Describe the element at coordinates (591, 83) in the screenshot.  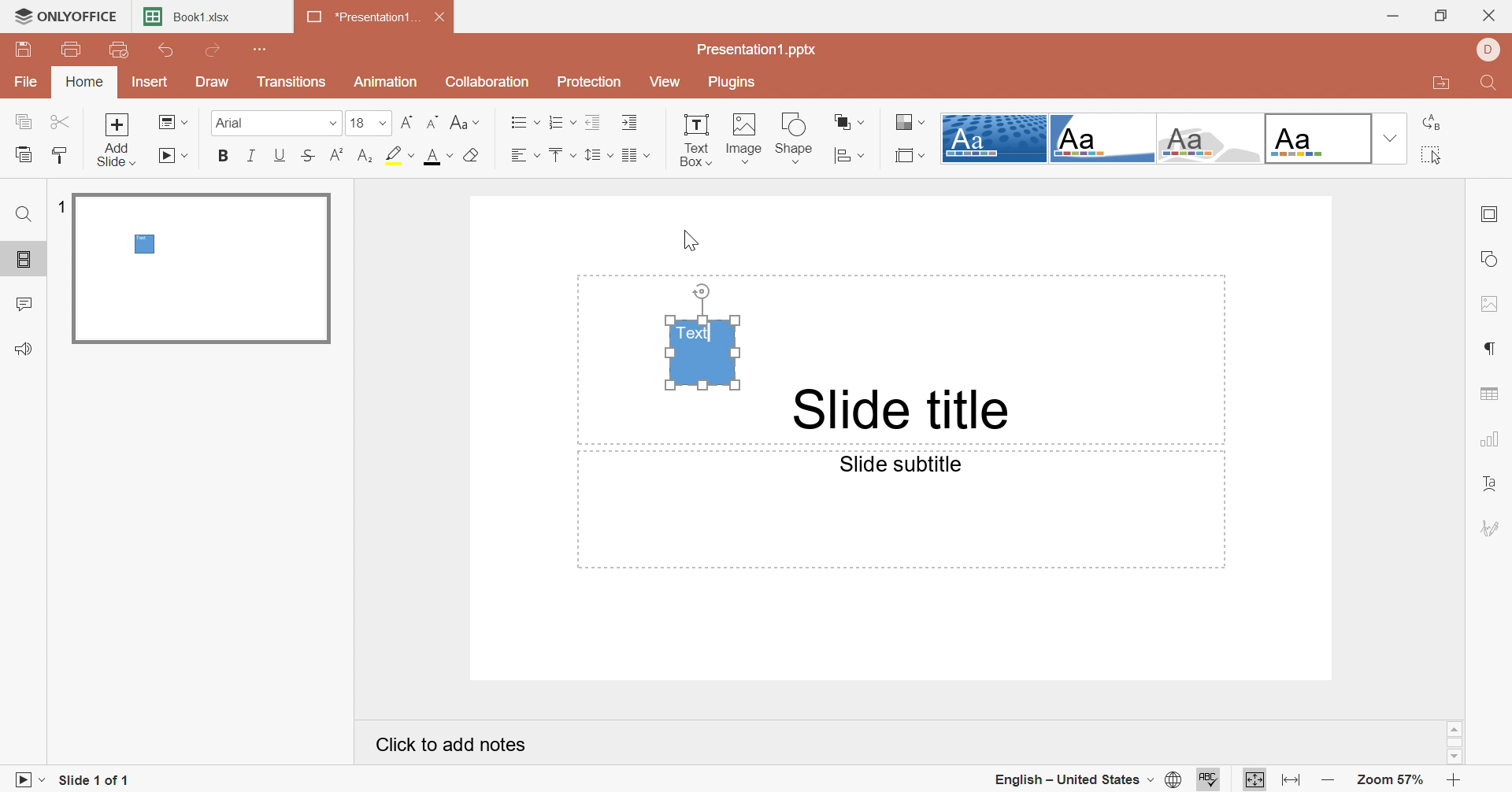
I see `Protection` at that location.